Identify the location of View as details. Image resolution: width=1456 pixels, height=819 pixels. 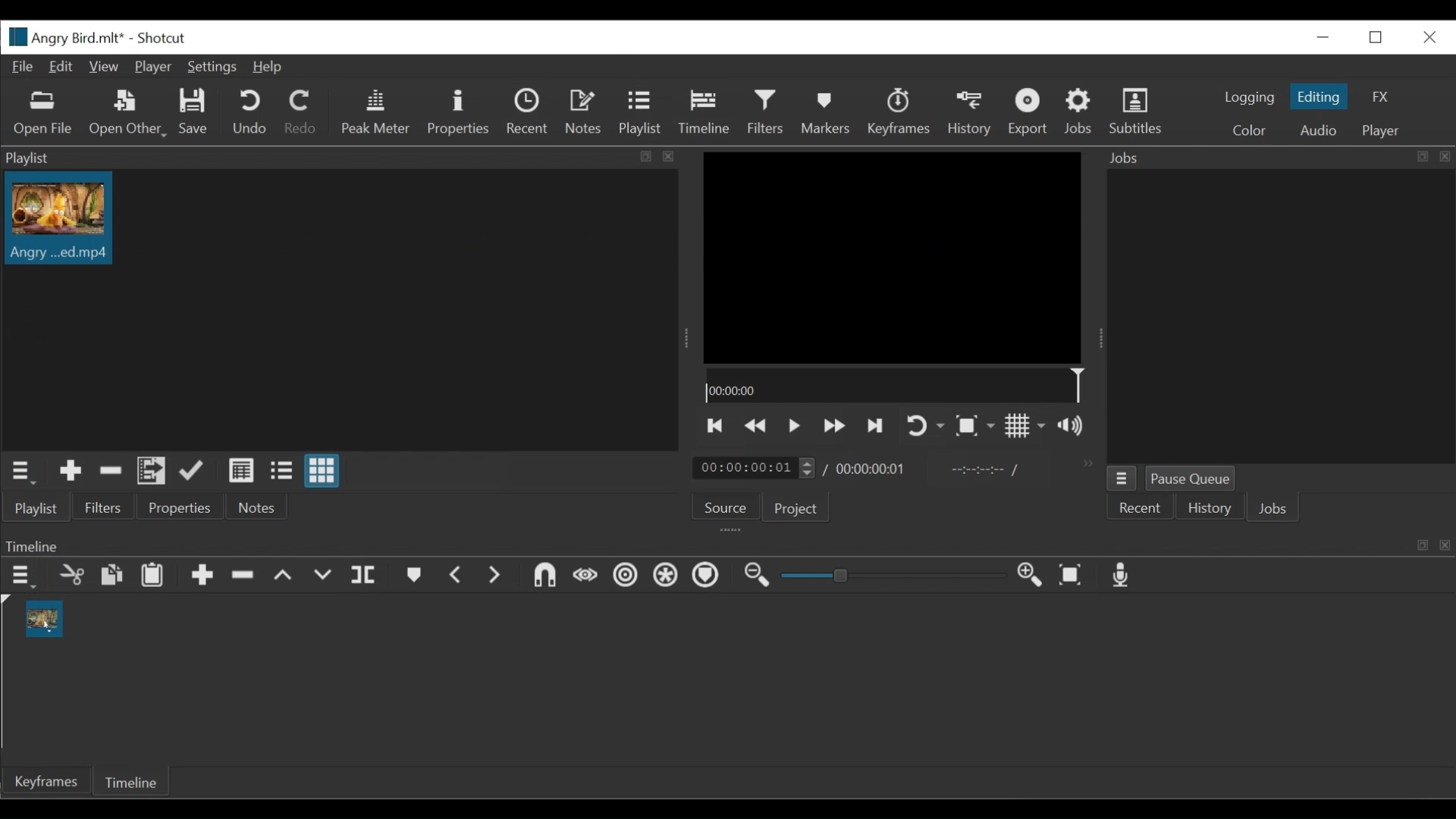
(240, 471).